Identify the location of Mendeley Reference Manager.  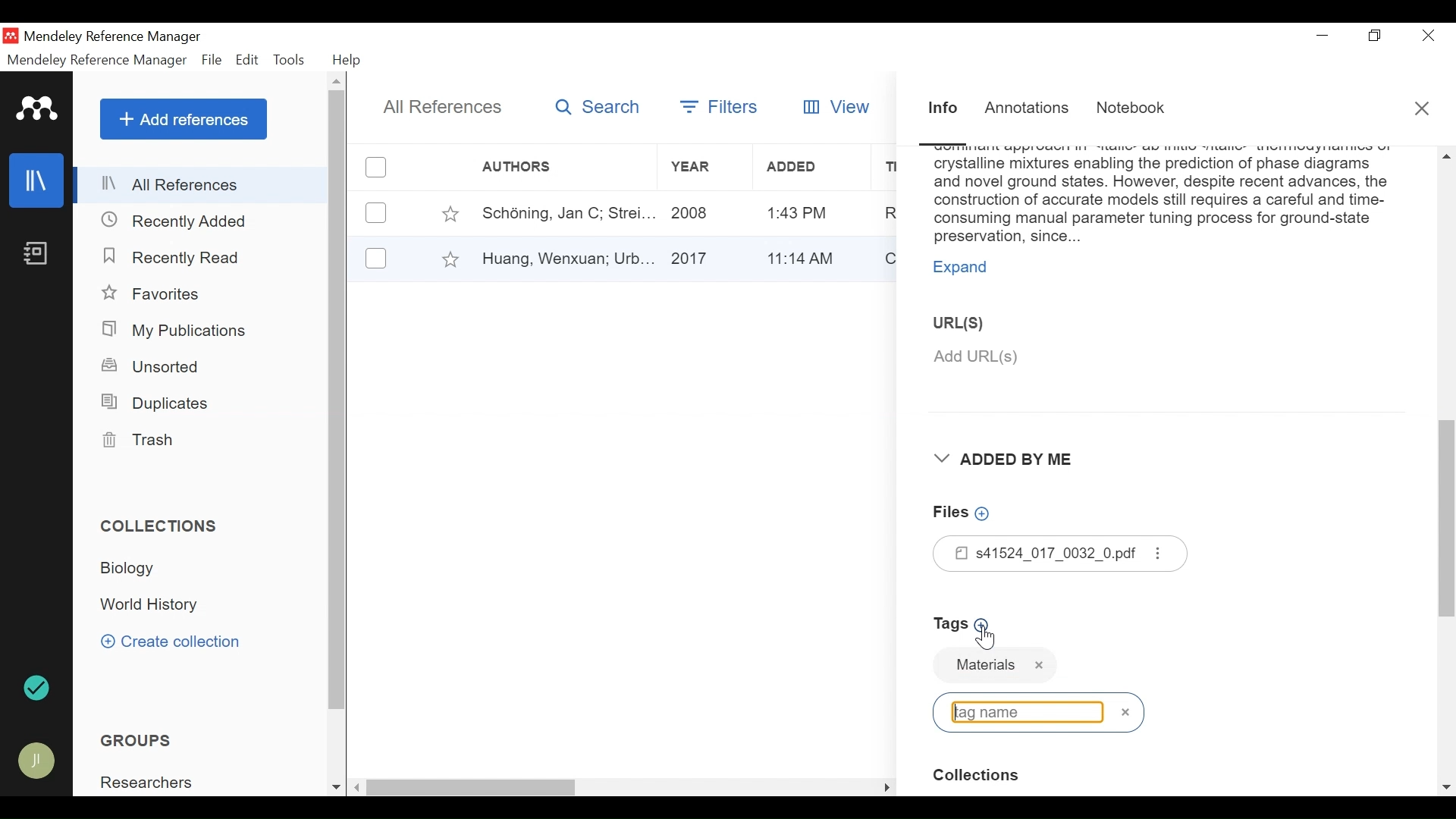
(116, 36).